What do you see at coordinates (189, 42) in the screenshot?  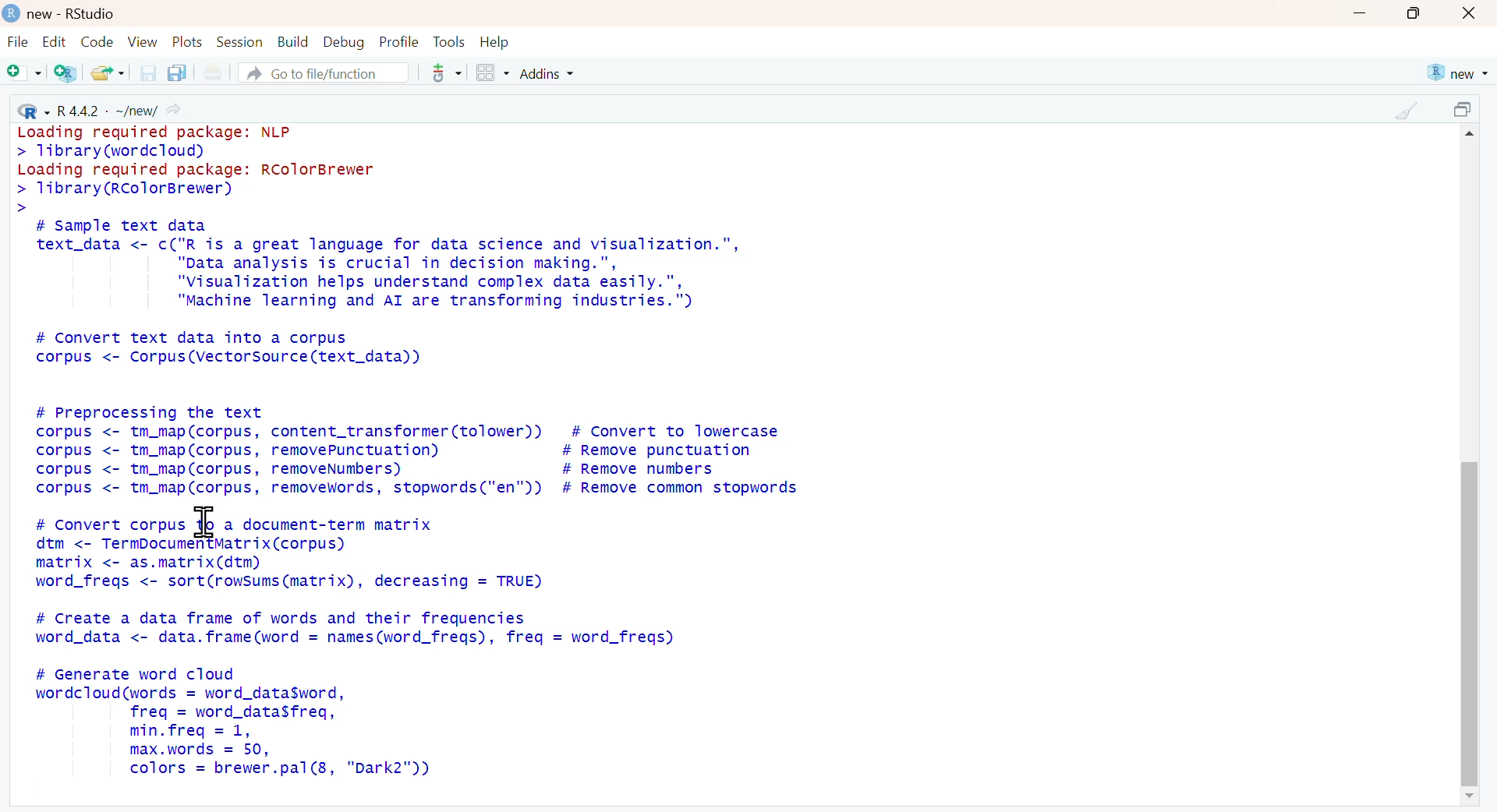 I see `Plots` at bounding box center [189, 42].